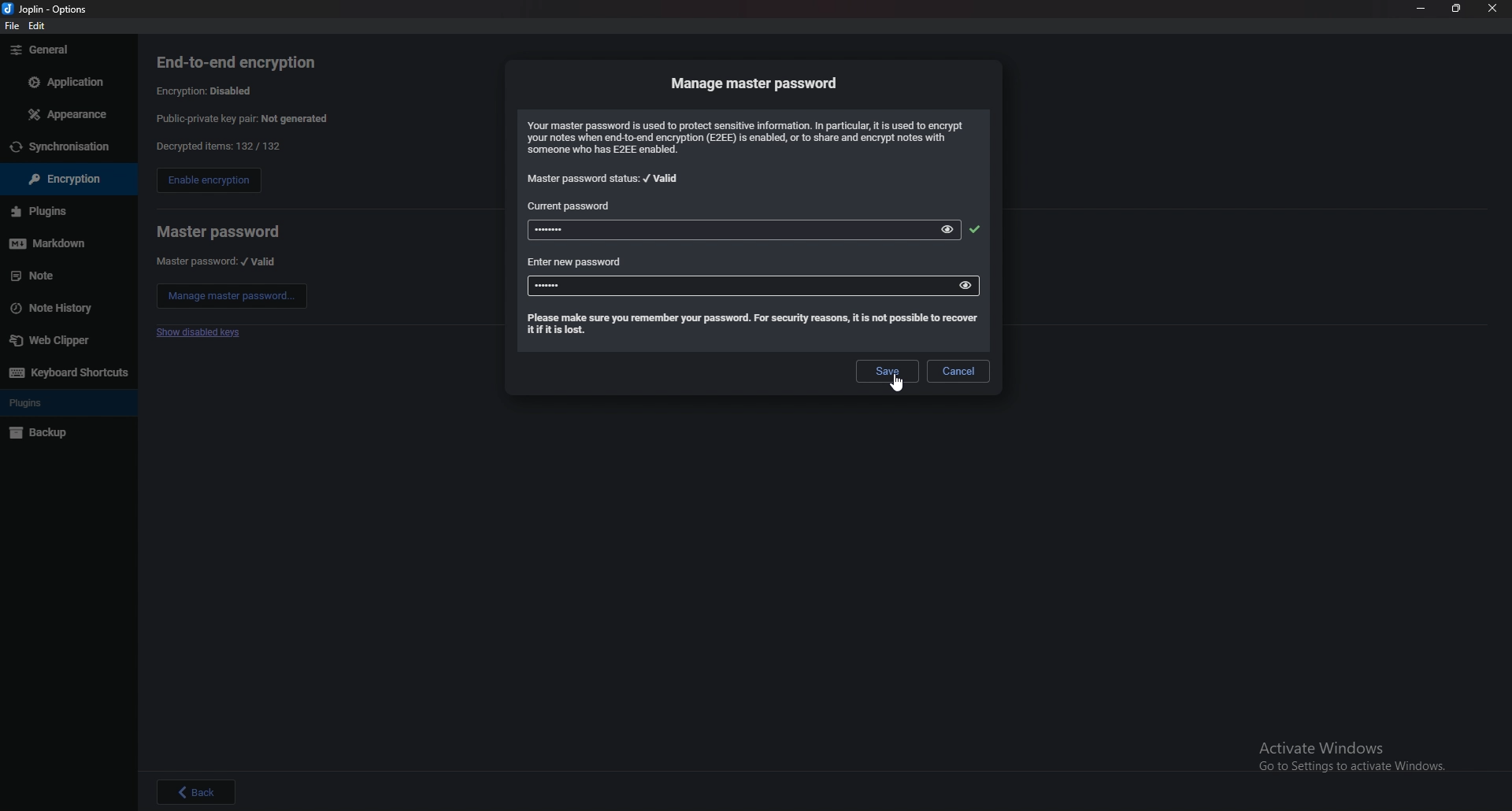 This screenshot has height=811, width=1512. Describe the element at coordinates (68, 339) in the screenshot. I see `web clipper` at that location.